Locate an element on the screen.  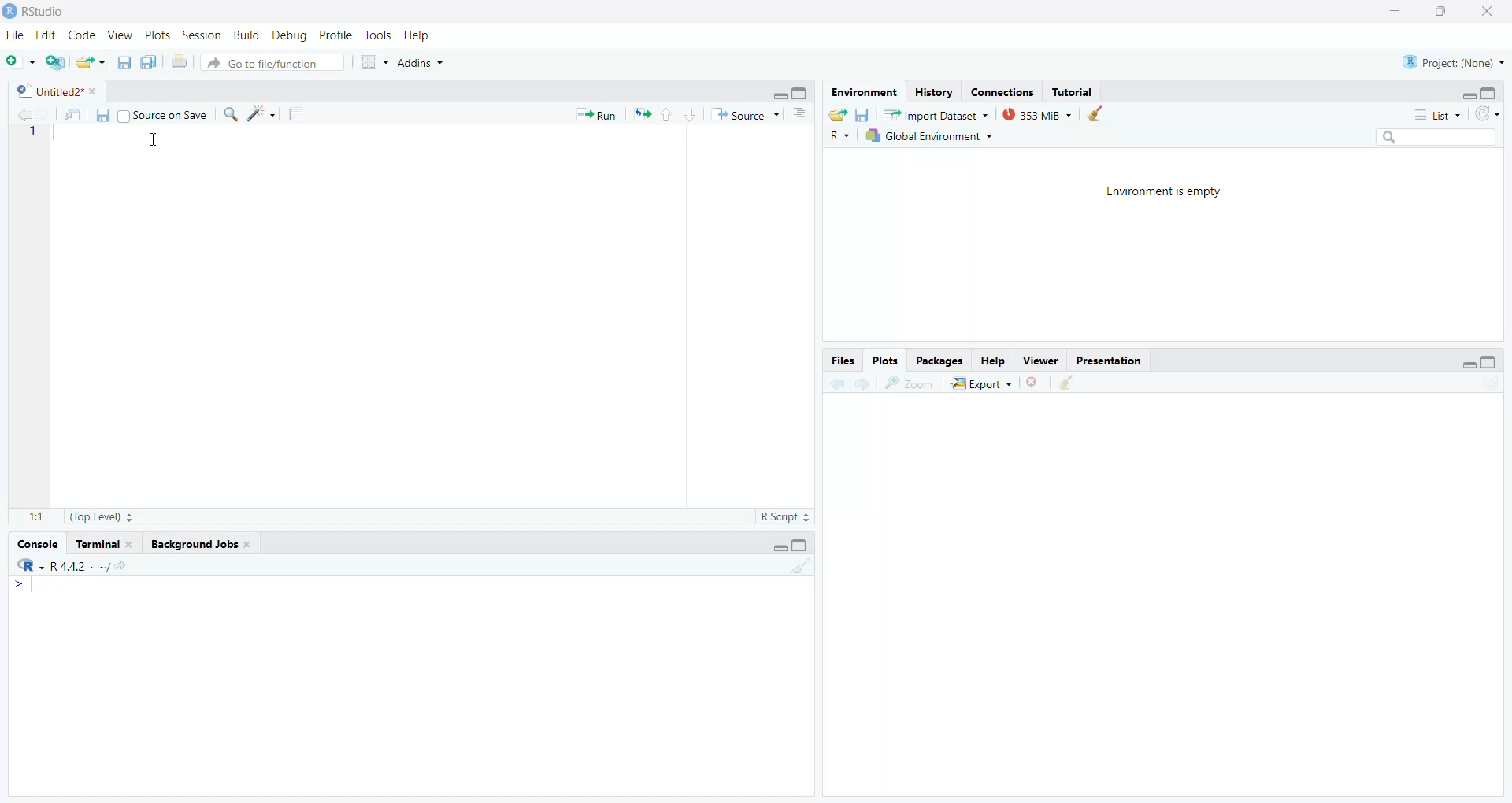
hide r script is located at coordinates (1467, 361).